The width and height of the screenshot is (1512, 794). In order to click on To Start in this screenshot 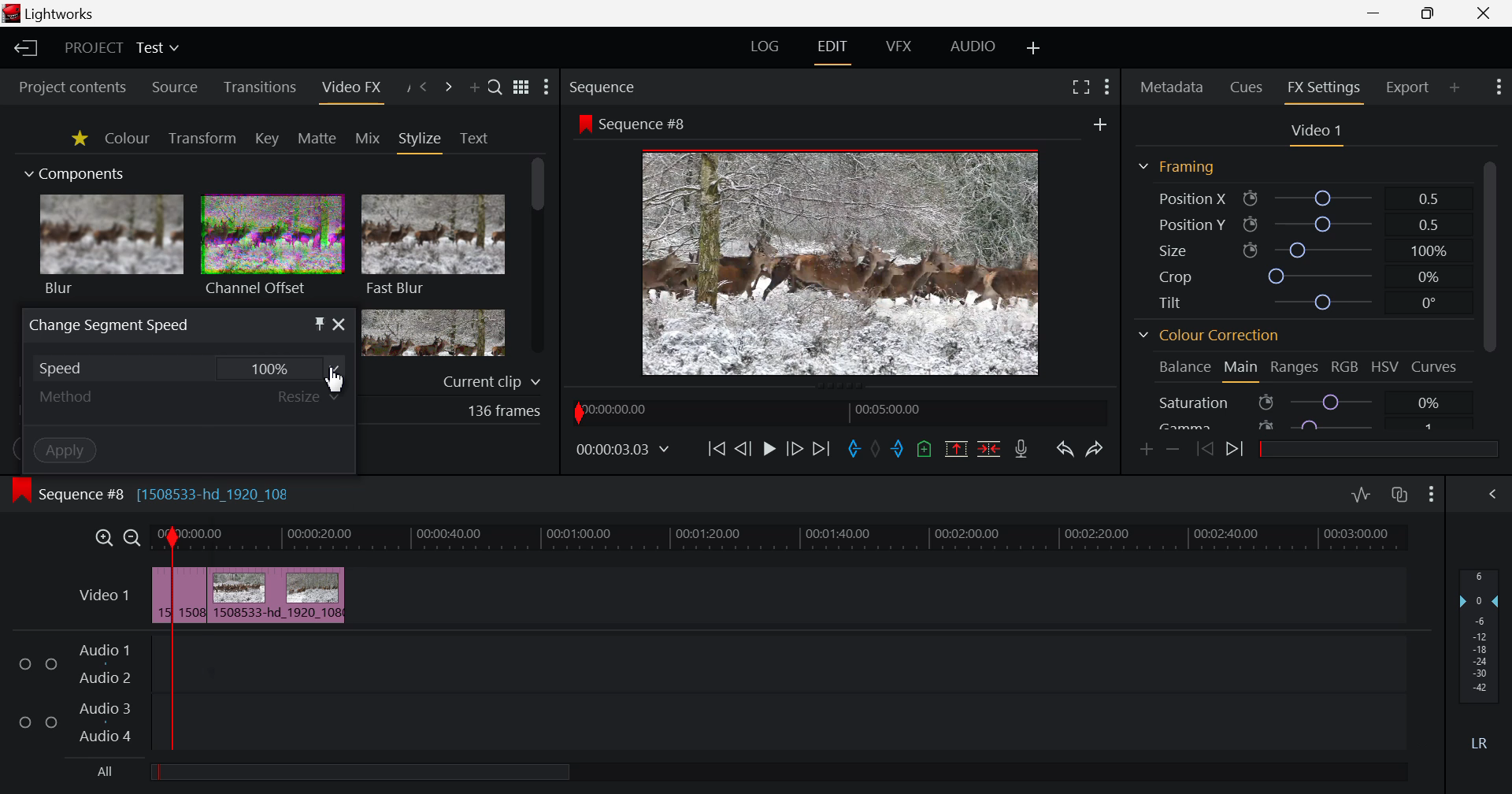, I will do `click(717, 449)`.